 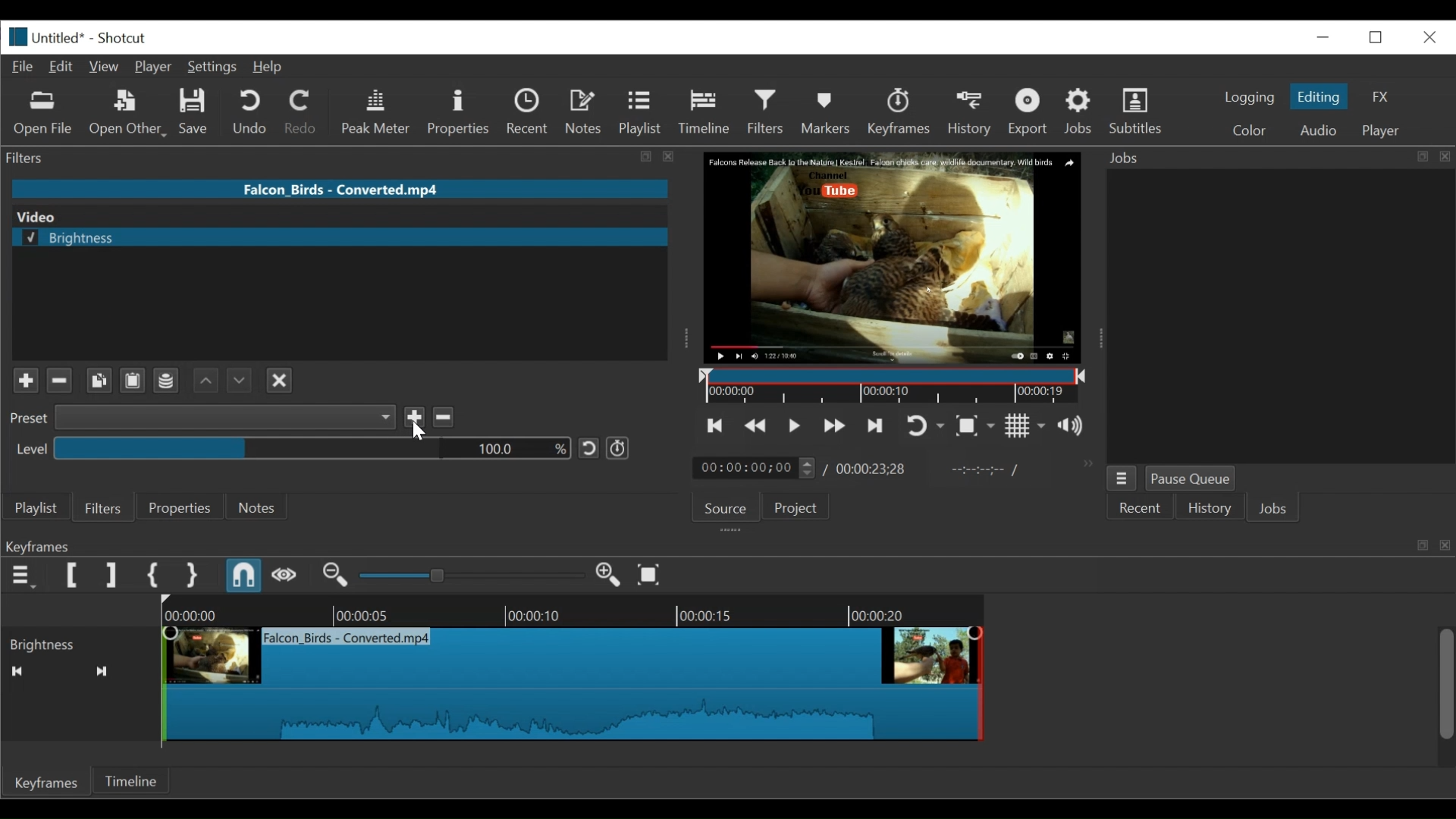 What do you see at coordinates (1382, 130) in the screenshot?
I see `Player` at bounding box center [1382, 130].